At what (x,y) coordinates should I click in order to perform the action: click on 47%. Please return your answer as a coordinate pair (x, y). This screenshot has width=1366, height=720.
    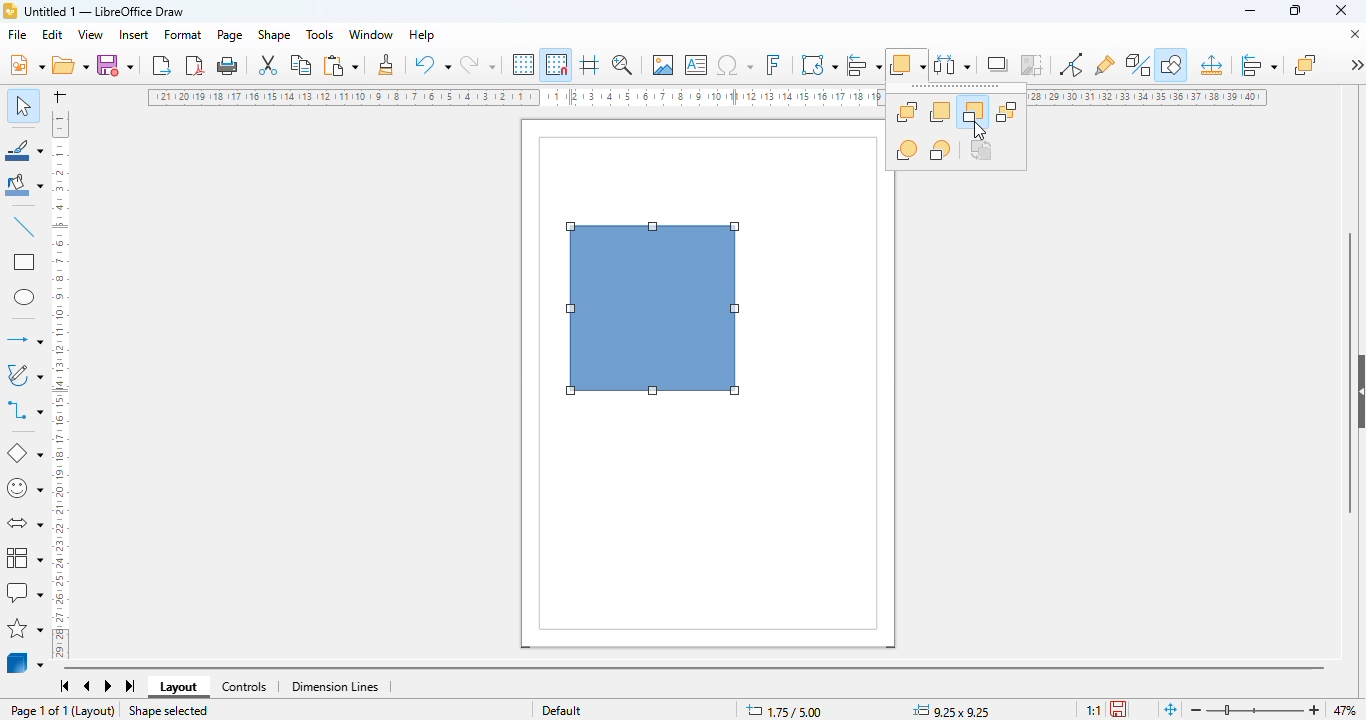
    Looking at the image, I should click on (1344, 709).